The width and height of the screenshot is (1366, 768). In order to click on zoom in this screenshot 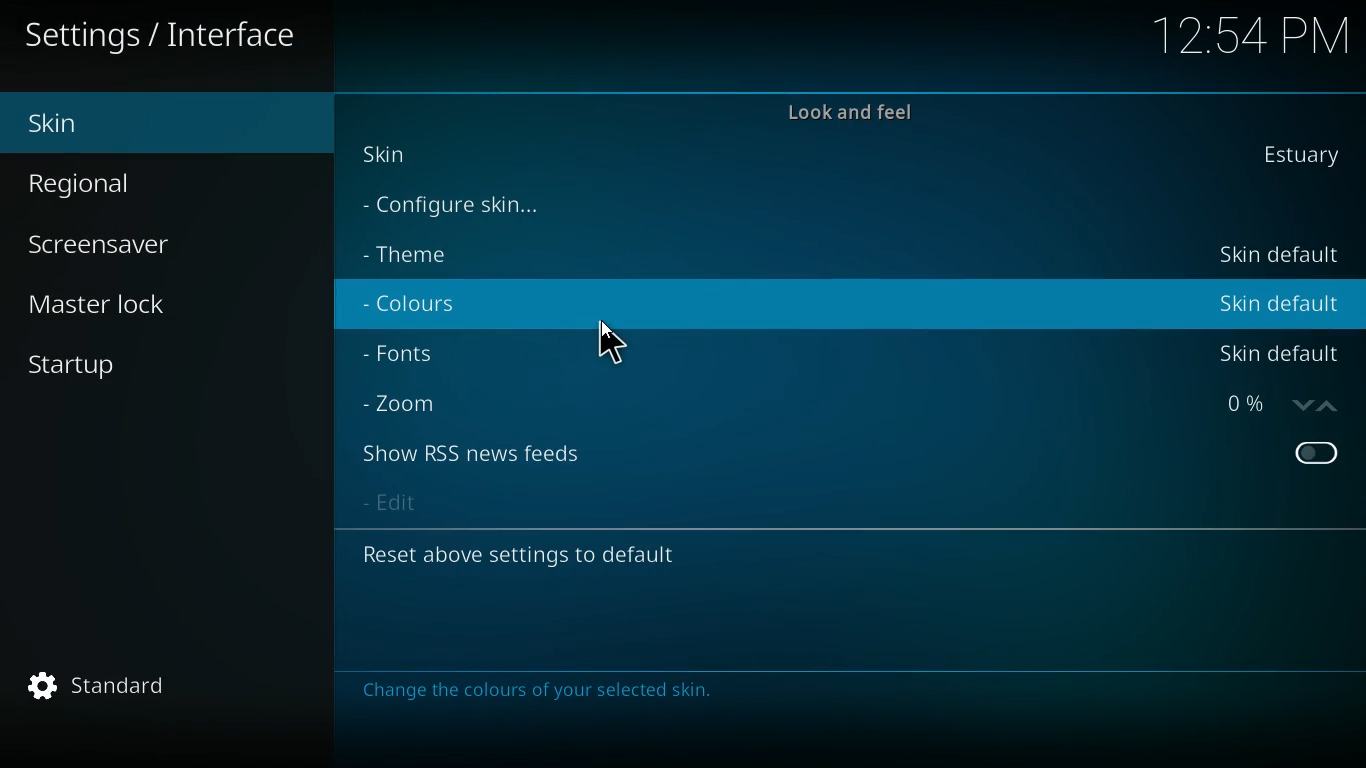, I will do `click(406, 404)`.